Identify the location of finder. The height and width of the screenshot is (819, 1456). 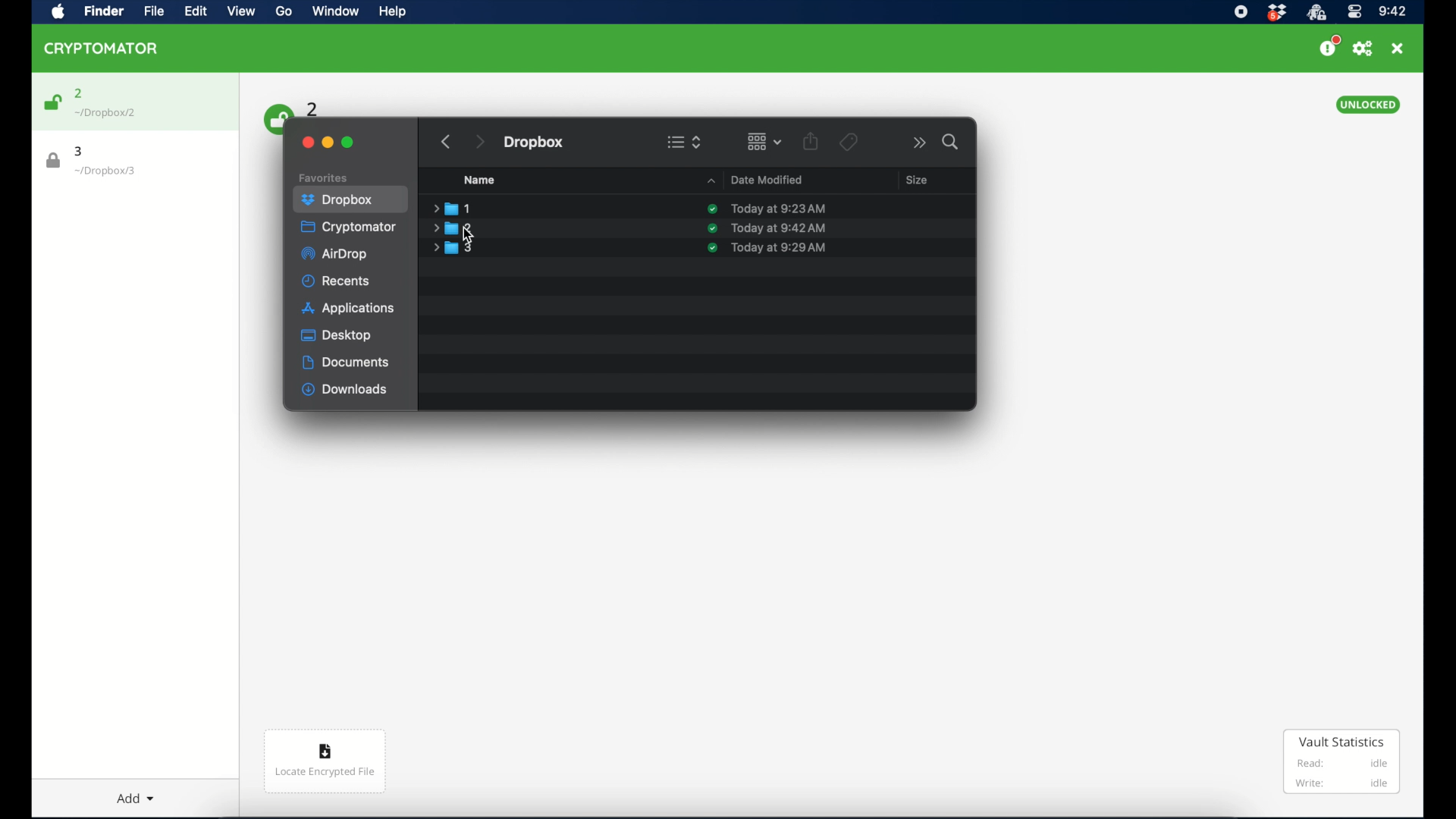
(102, 11).